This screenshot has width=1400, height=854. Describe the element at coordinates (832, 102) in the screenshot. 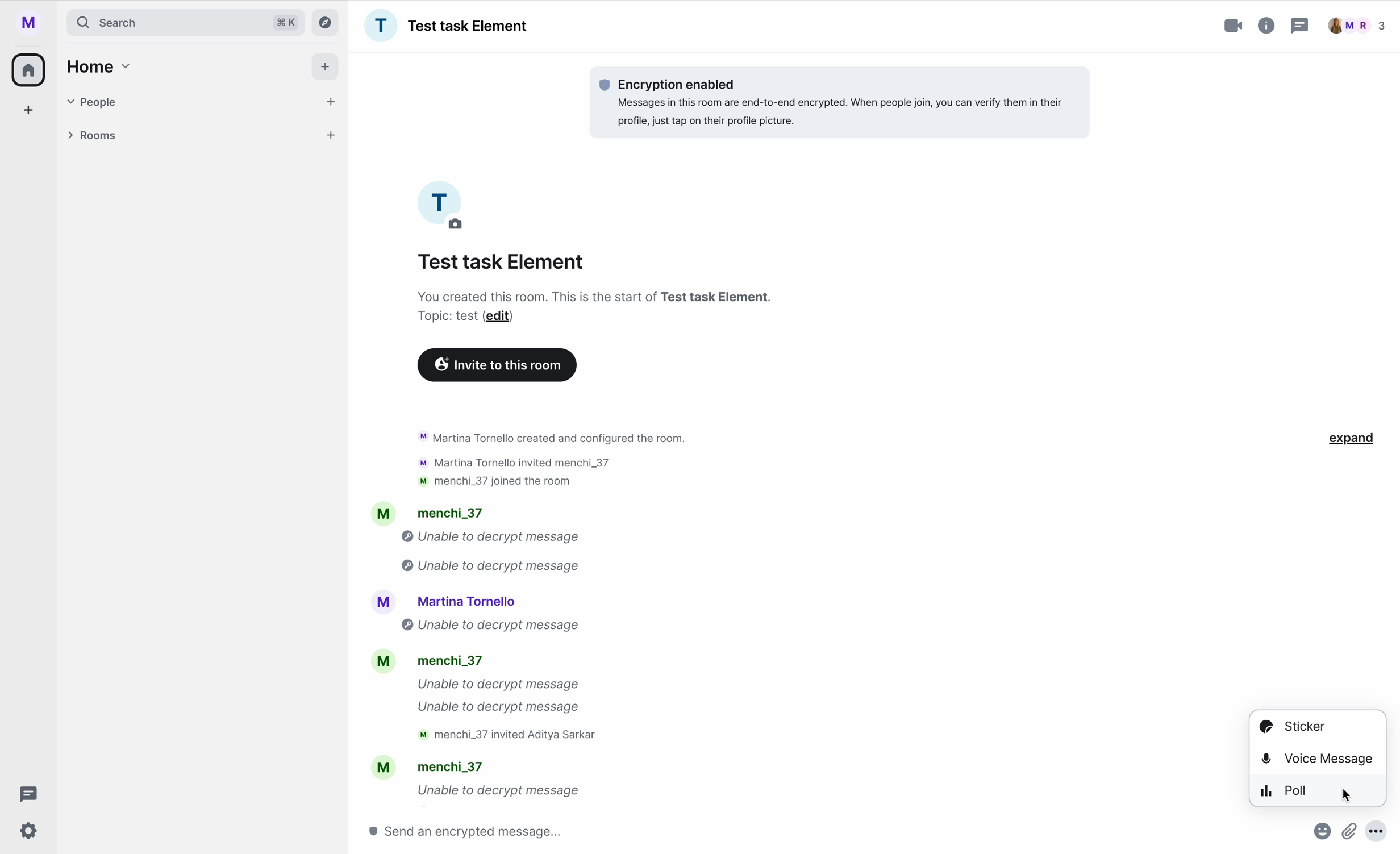

I see ` Encryption enabledMessages in this room are end-to-end encrypted. When people join, you can verify them in theirprofile, just tap on their profile picture.` at that location.